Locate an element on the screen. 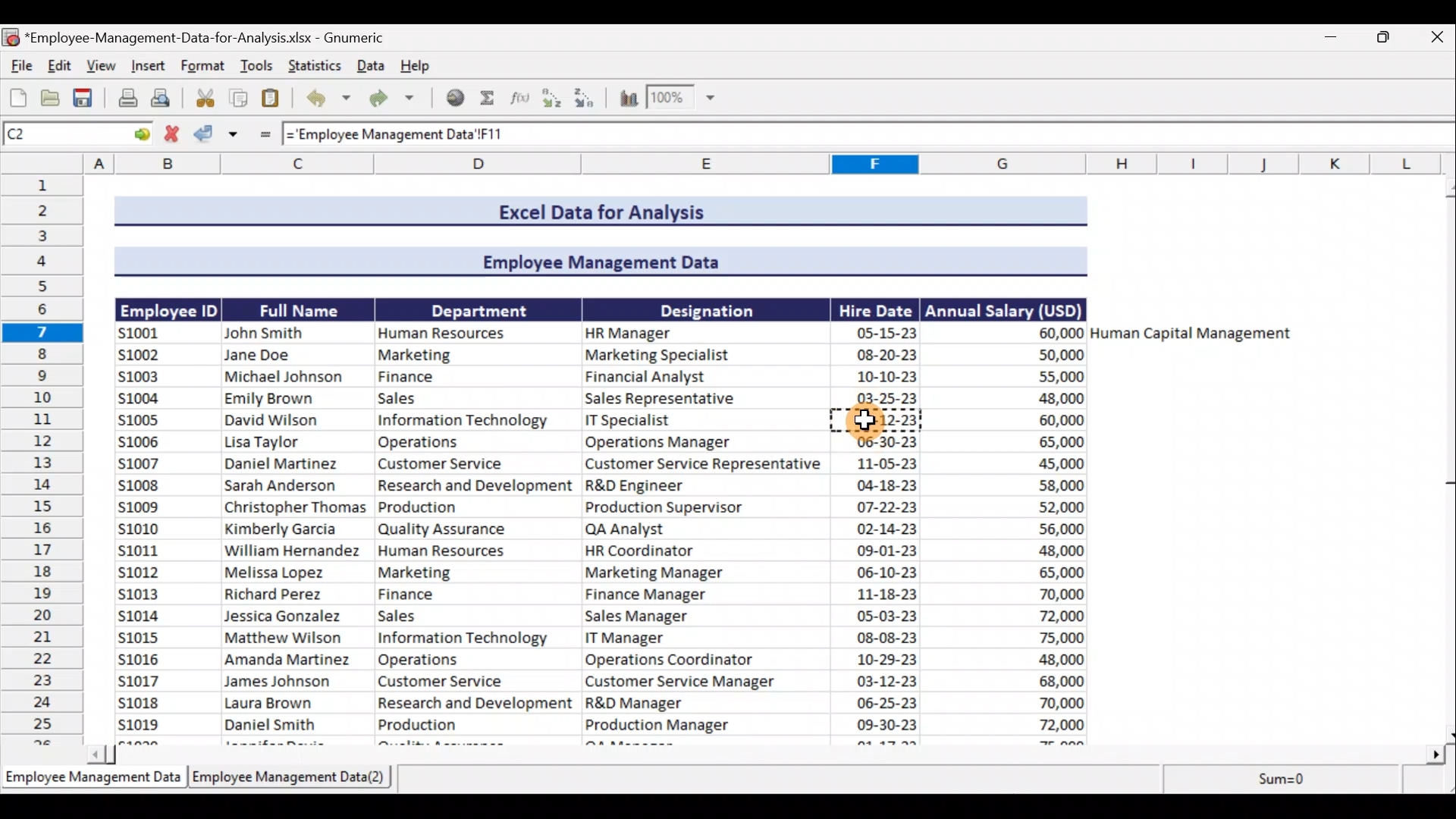  ='Employee Management Data'!F11 is located at coordinates (439, 135).